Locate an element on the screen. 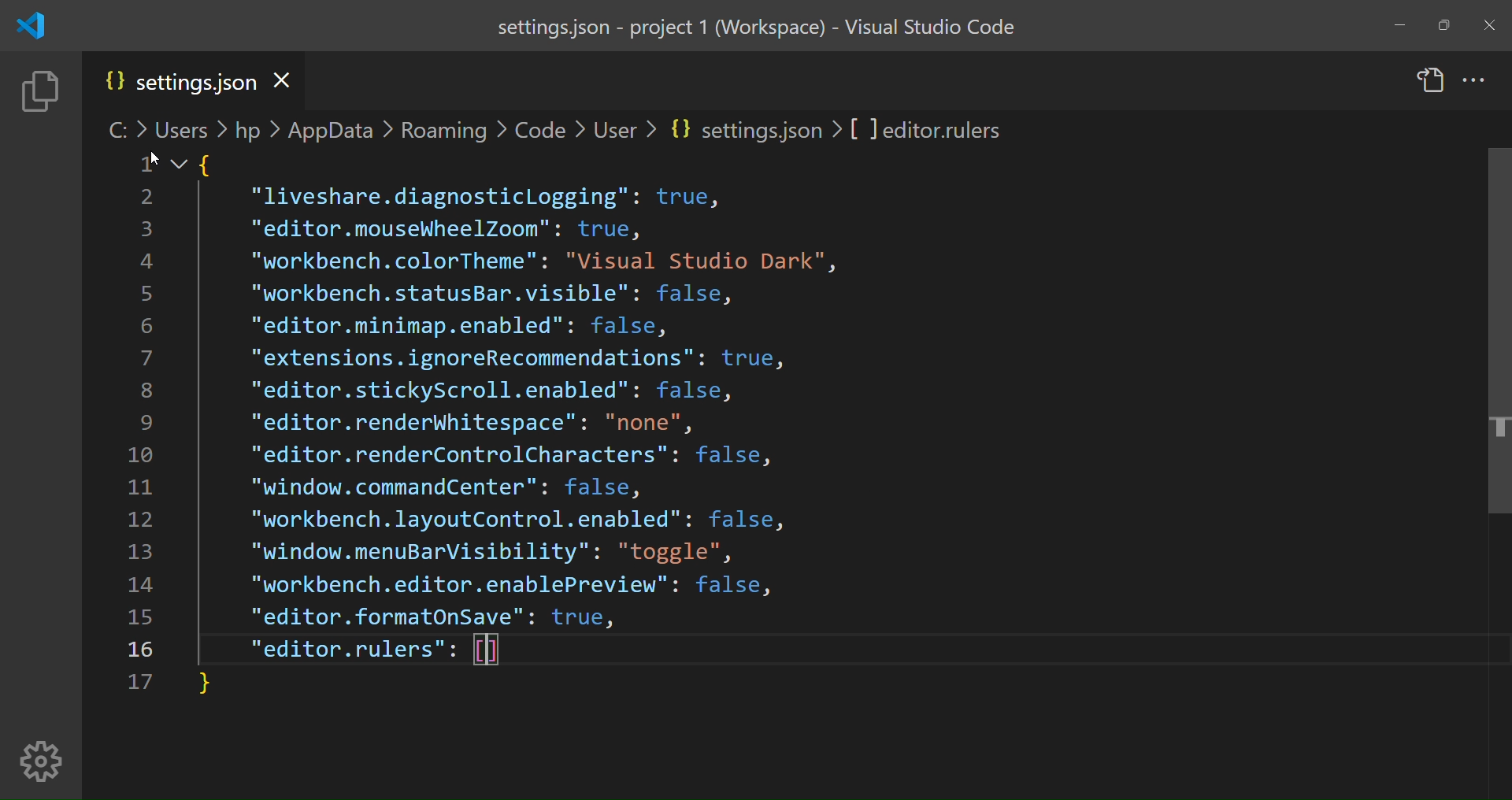 This screenshot has height=800, width=1512. line number is located at coordinates (146, 443).